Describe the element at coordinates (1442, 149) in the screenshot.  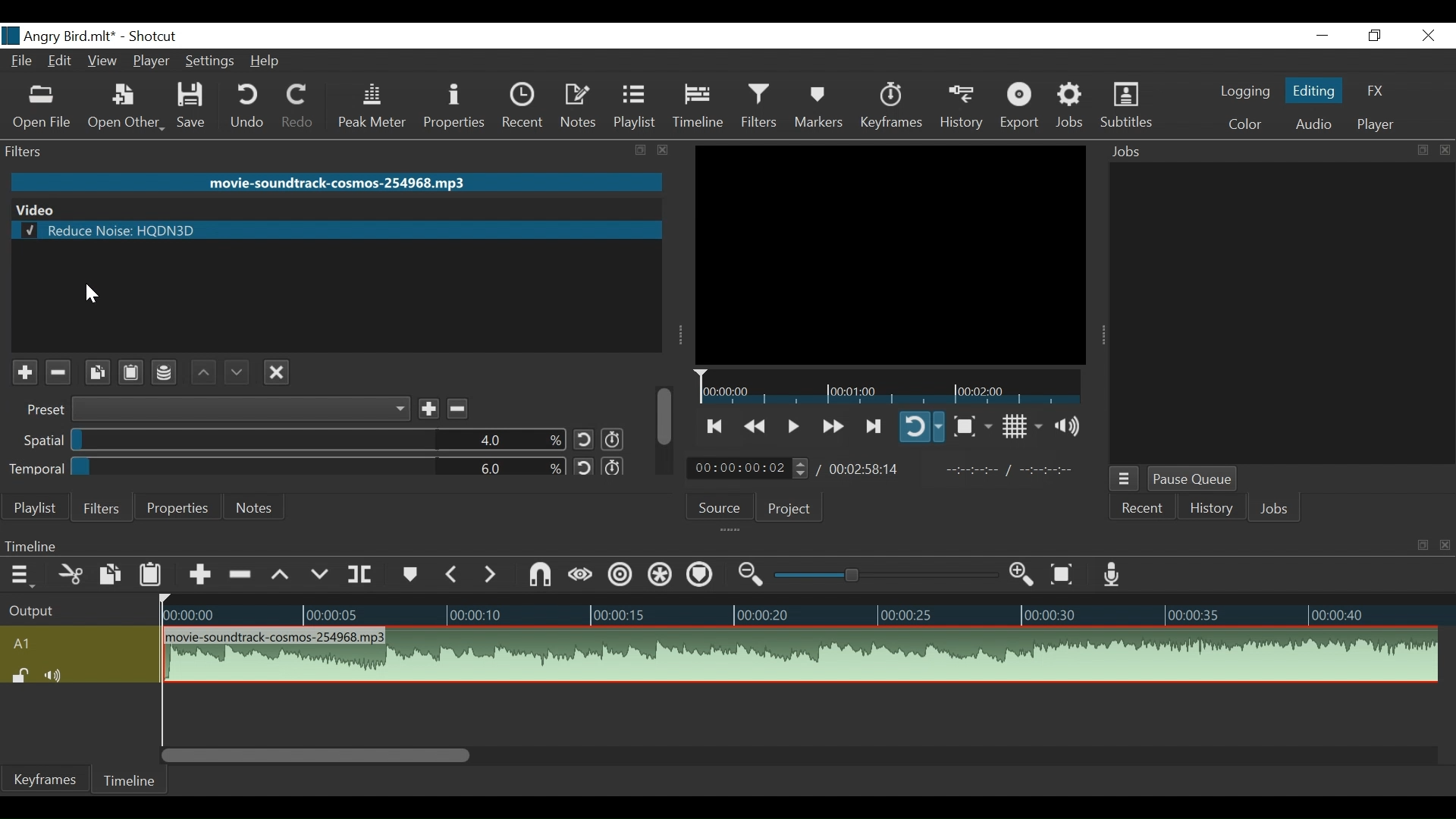
I see `close` at that location.